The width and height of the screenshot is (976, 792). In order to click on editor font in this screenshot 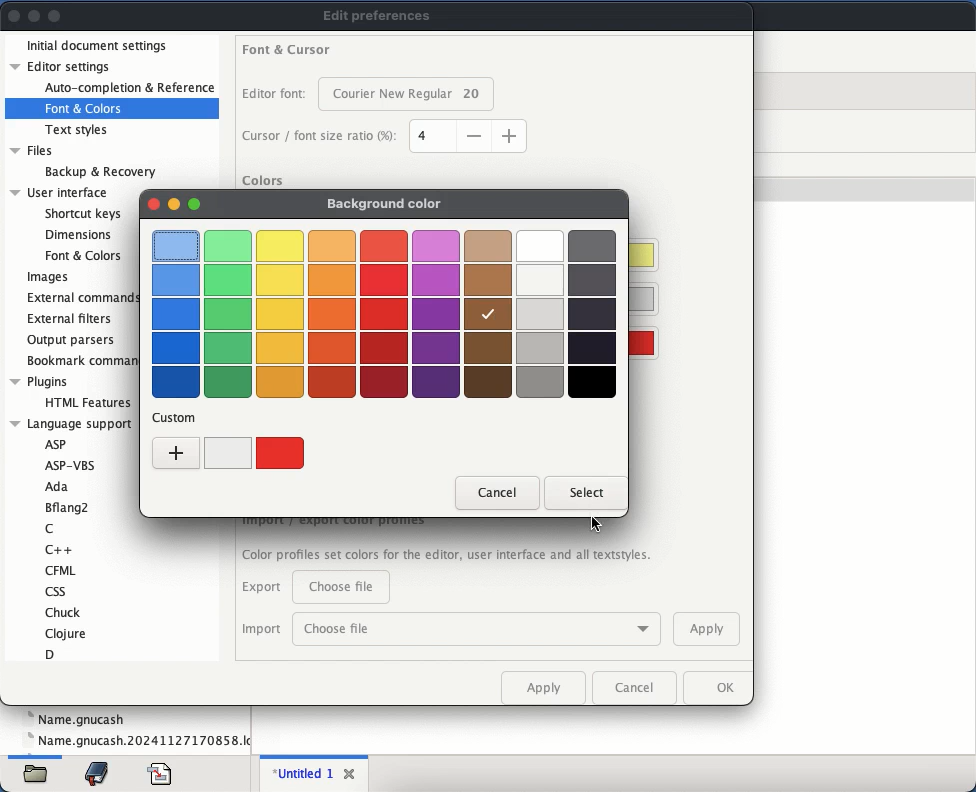, I will do `click(276, 93)`.